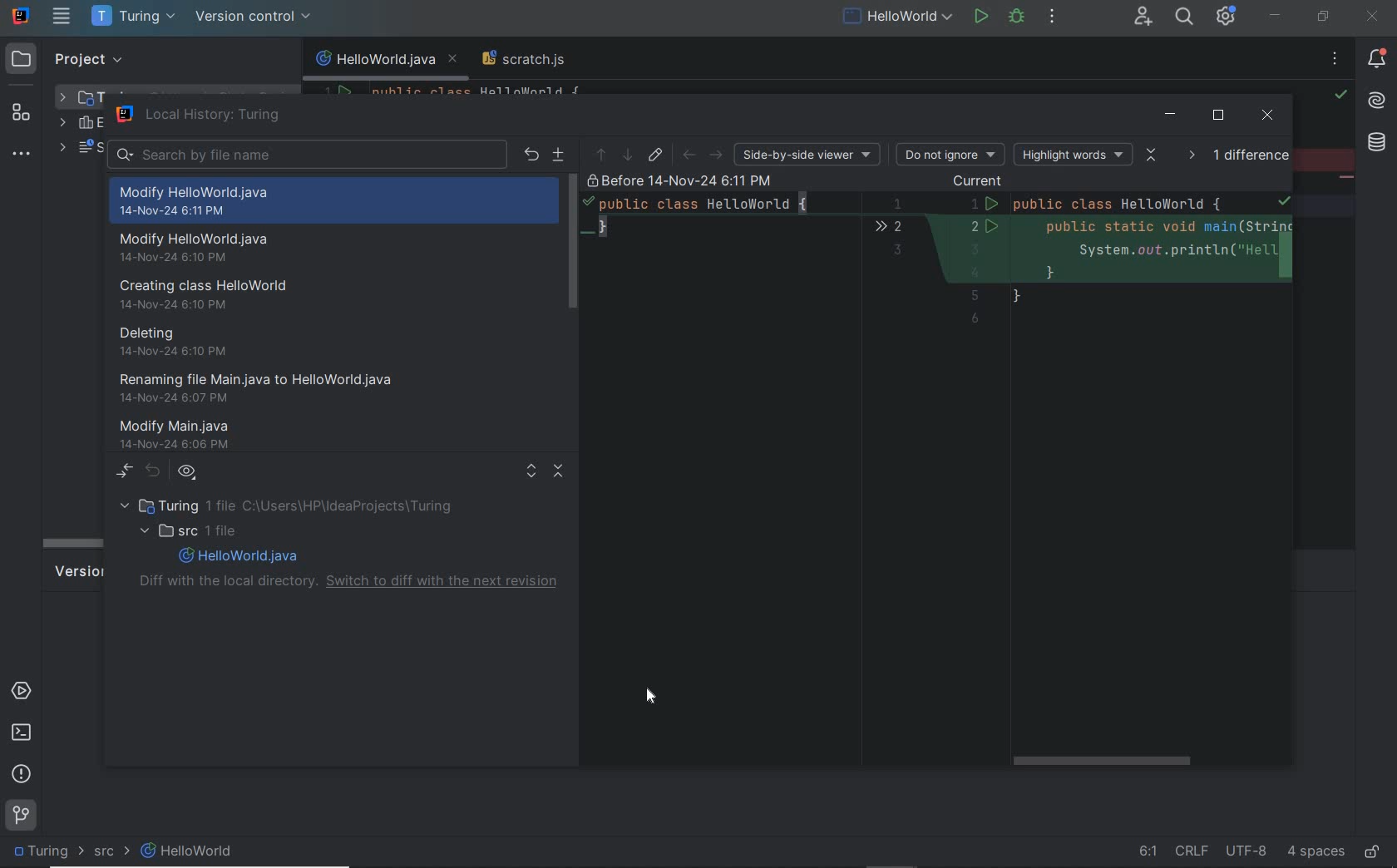 This screenshot has width=1397, height=868. What do you see at coordinates (453, 60) in the screenshot?
I see `close tab` at bounding box center [453, 60].